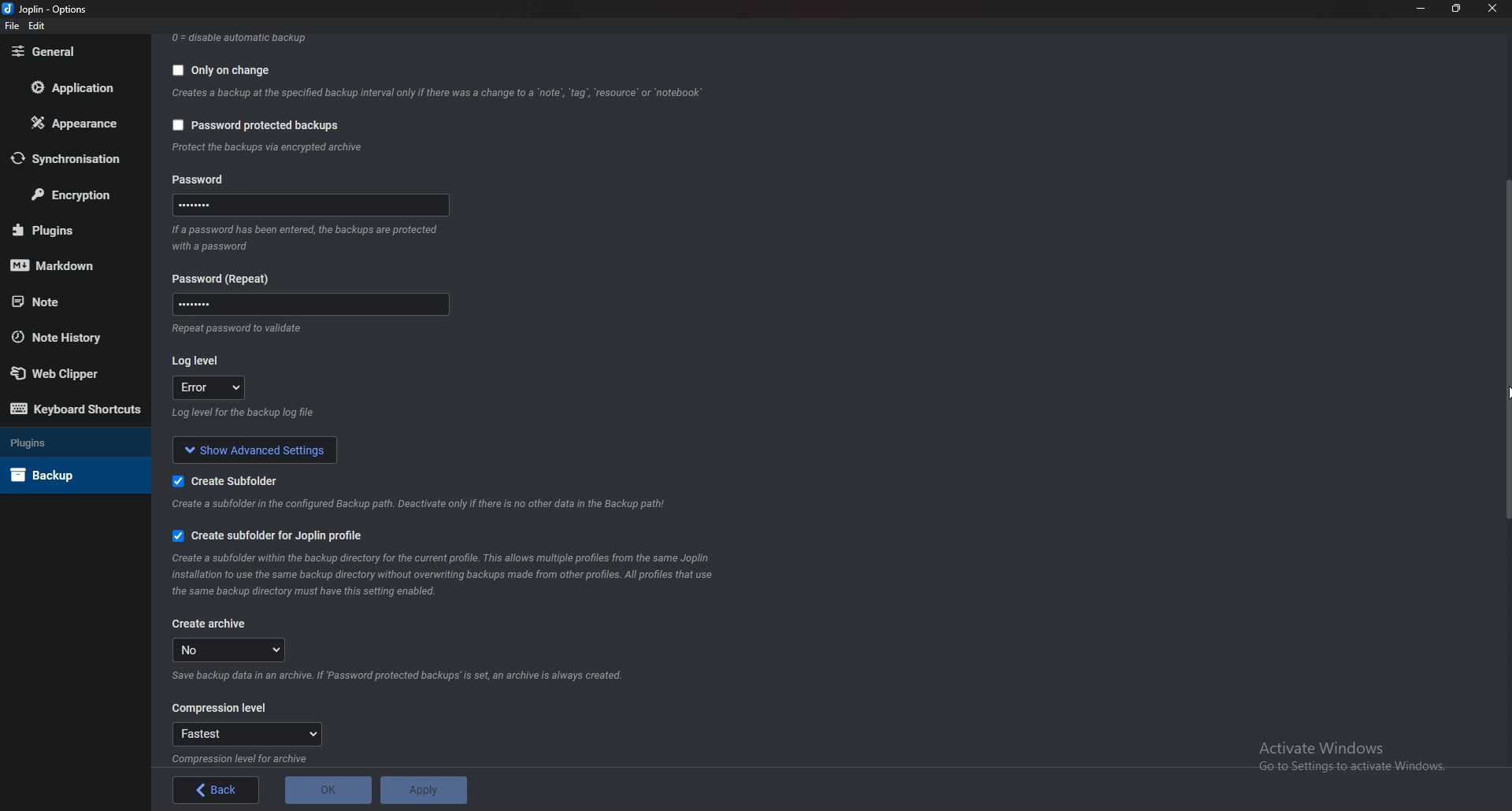 The image size is (1512, 811). What do you see at coordinates (268, 146) in the screenshot?
I see `info` at bounding box center [268, 146].